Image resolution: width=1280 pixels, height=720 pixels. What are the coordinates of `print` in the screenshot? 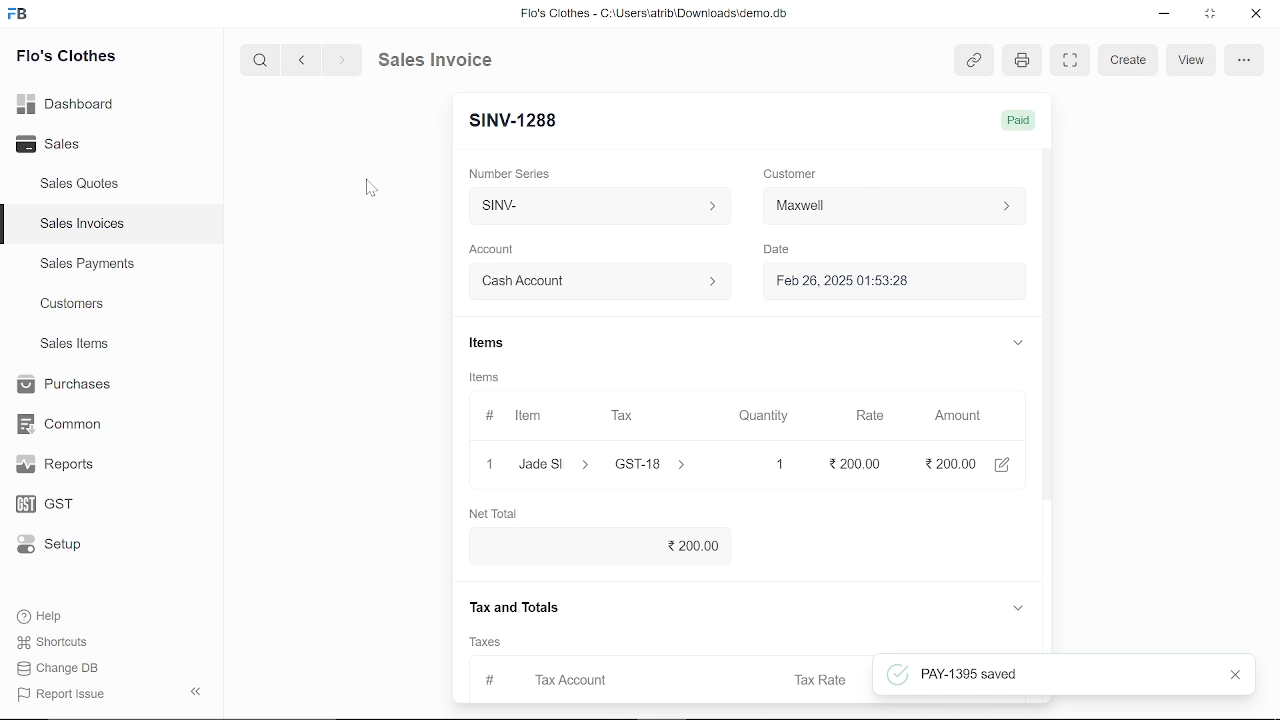 It's located at (1019, 61).